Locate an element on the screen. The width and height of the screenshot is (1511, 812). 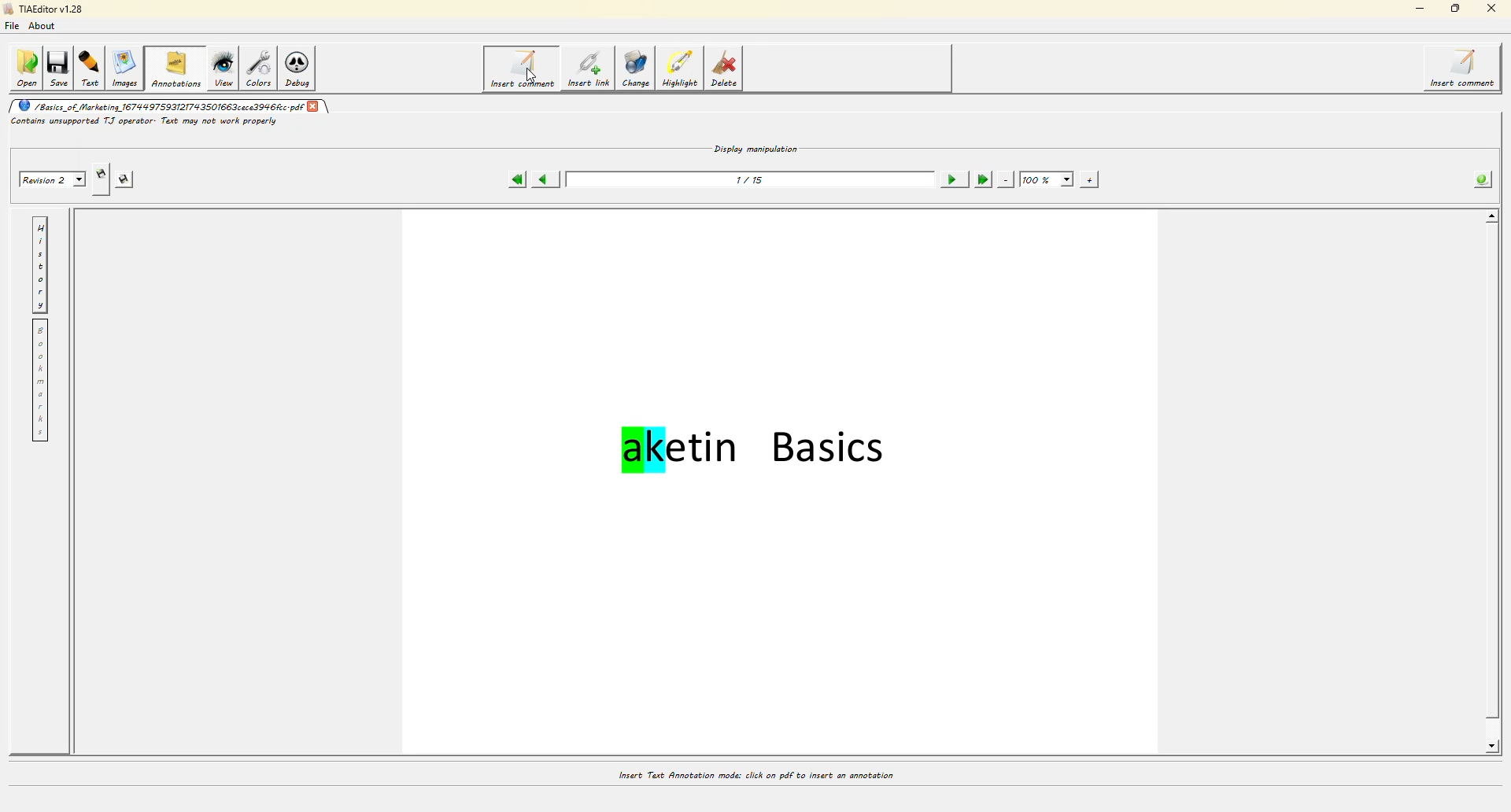
previous page is located at coordinates (545, 180).